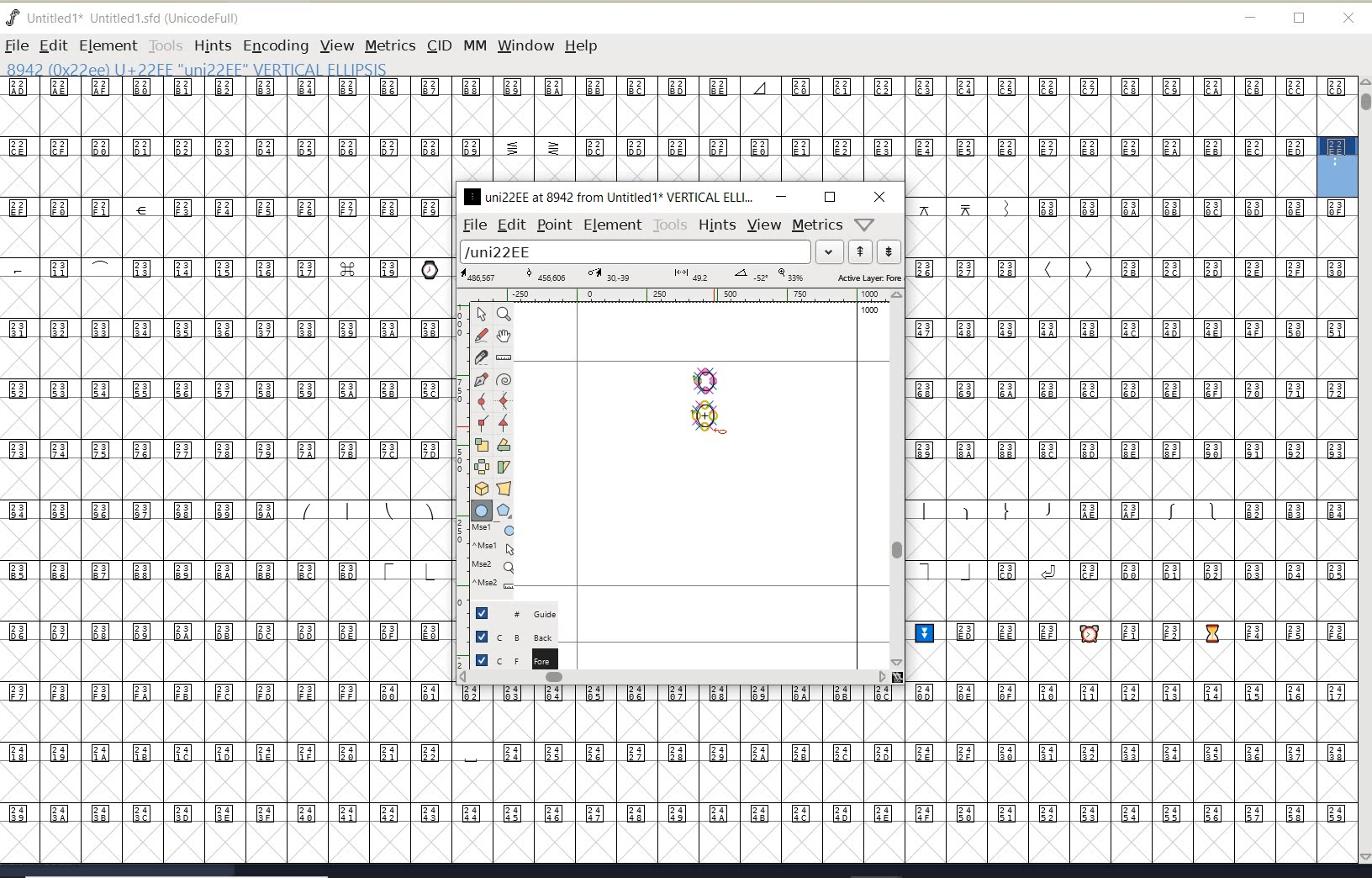 This screenshot has height=878, width=1372. I want to click on rotate the selection, so click(504, 445).